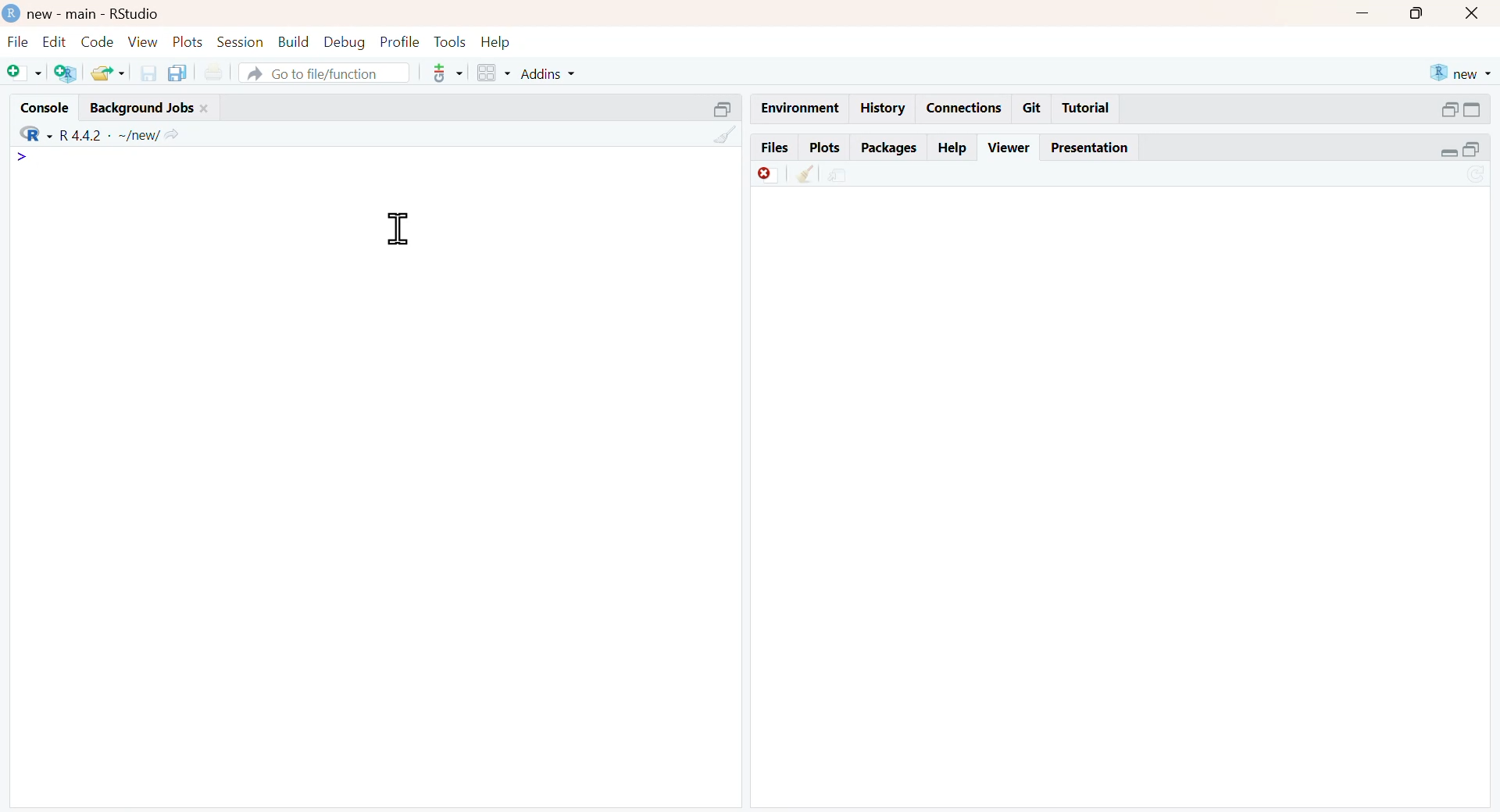  Describe the element at coordinates (39, 104) in the screenshot. I see `Console` at that location.